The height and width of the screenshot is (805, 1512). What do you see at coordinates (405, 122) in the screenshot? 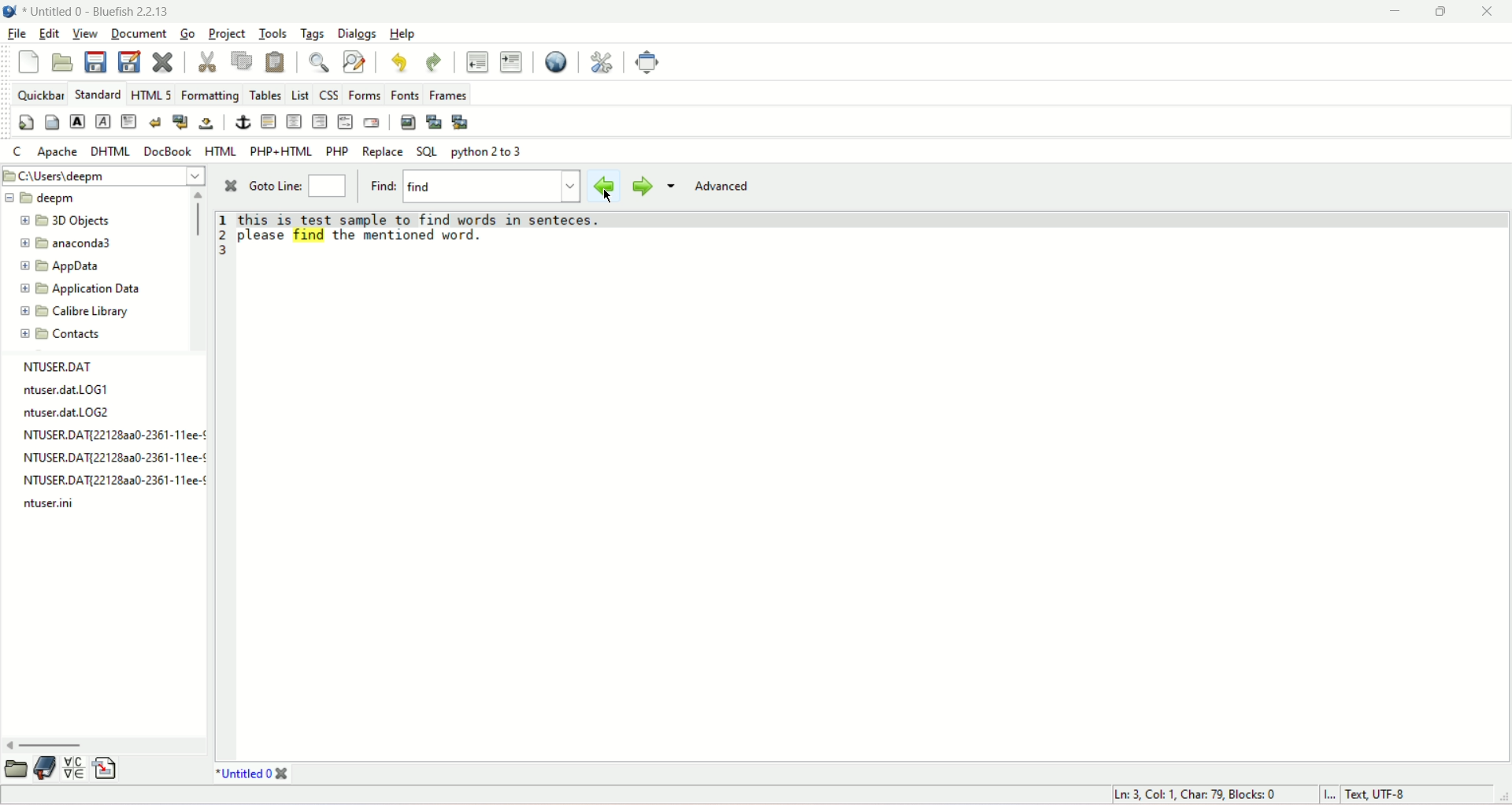
I see `insert image` at bounding box center [405, 122].